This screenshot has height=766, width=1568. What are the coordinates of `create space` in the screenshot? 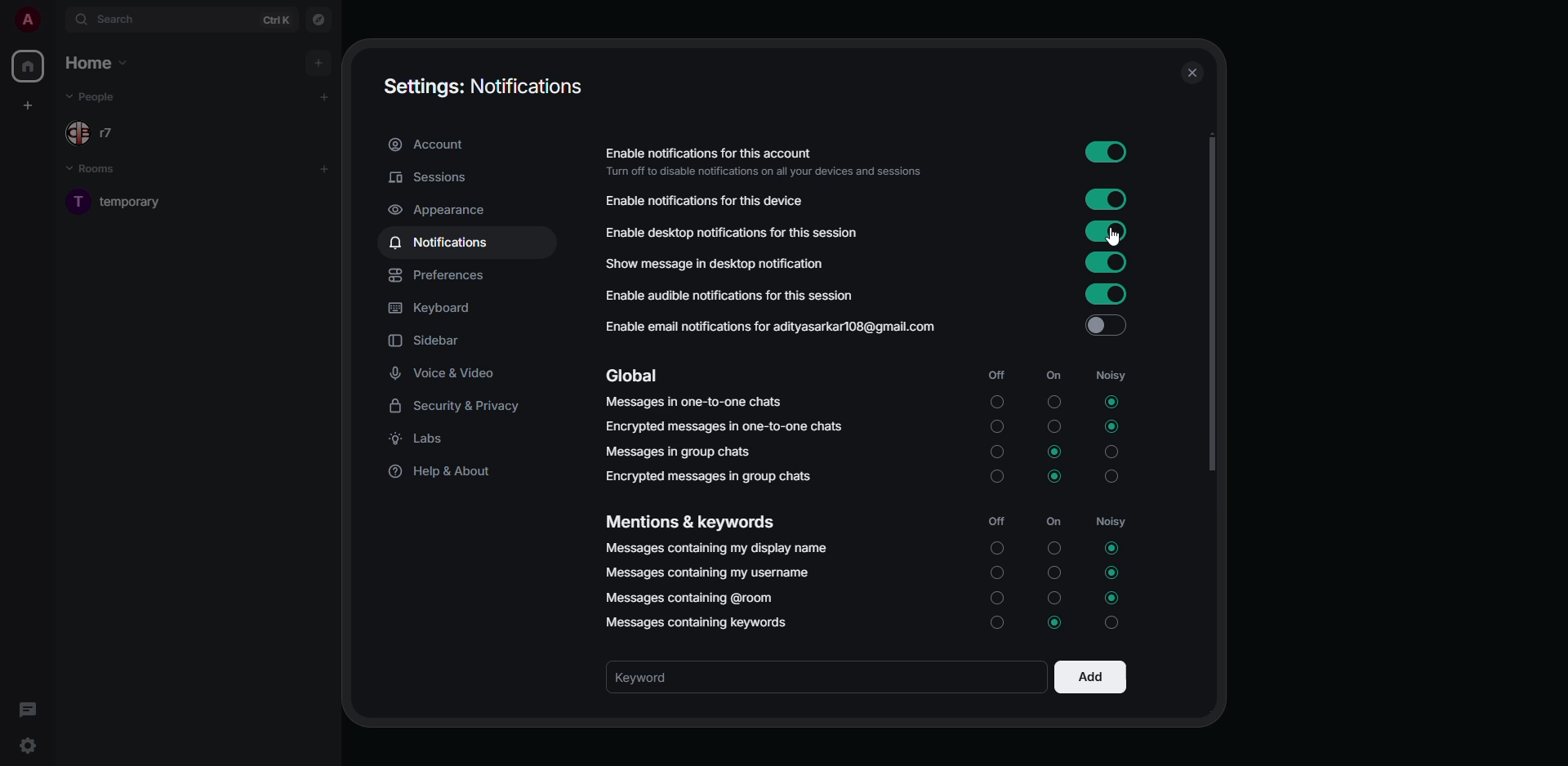 It's located at (27, 107).